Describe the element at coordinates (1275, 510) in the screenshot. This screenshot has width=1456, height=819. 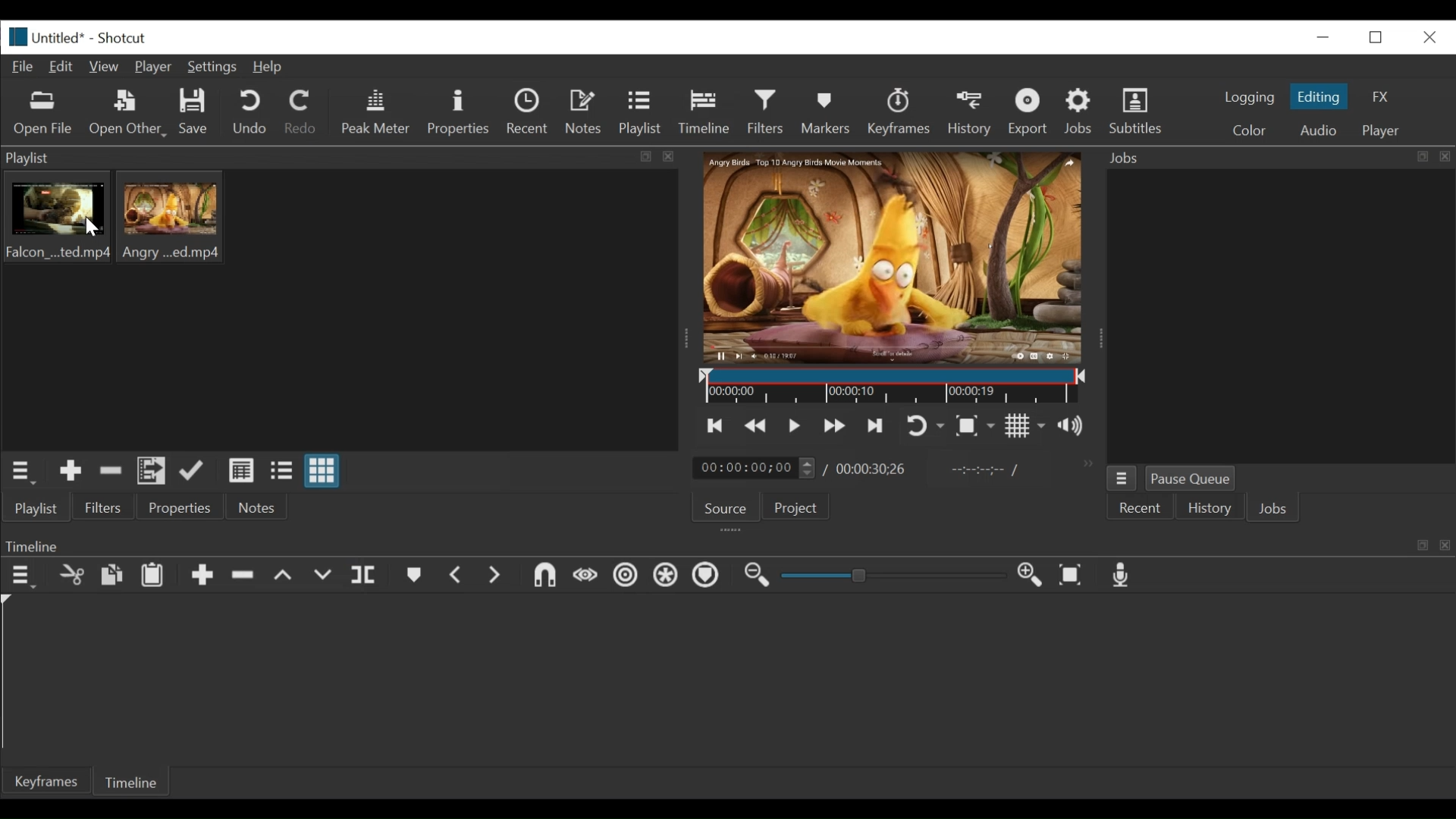
I see `JOBS` at that location.